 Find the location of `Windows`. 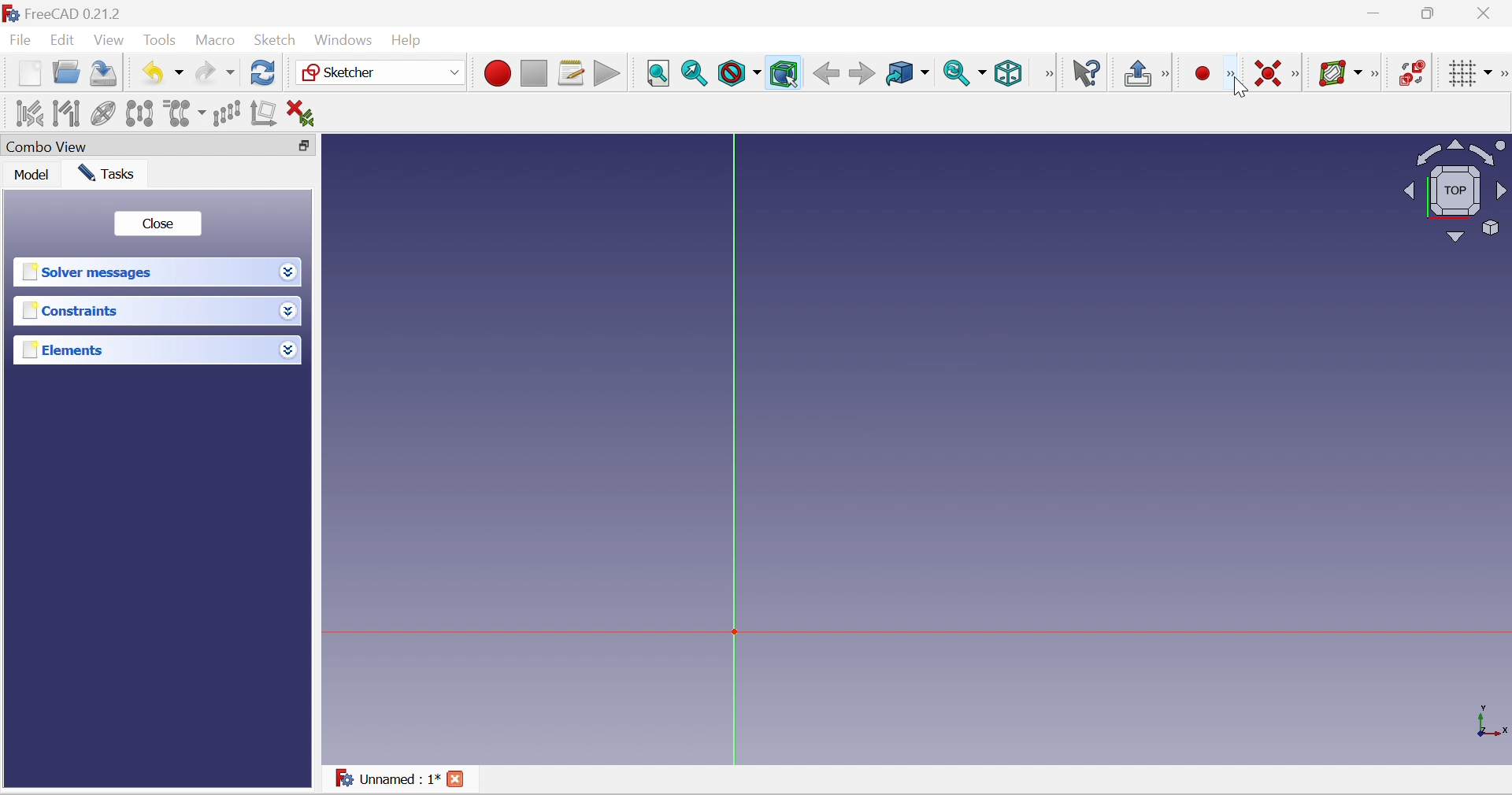

Windows is located at coordinates (344, 39).